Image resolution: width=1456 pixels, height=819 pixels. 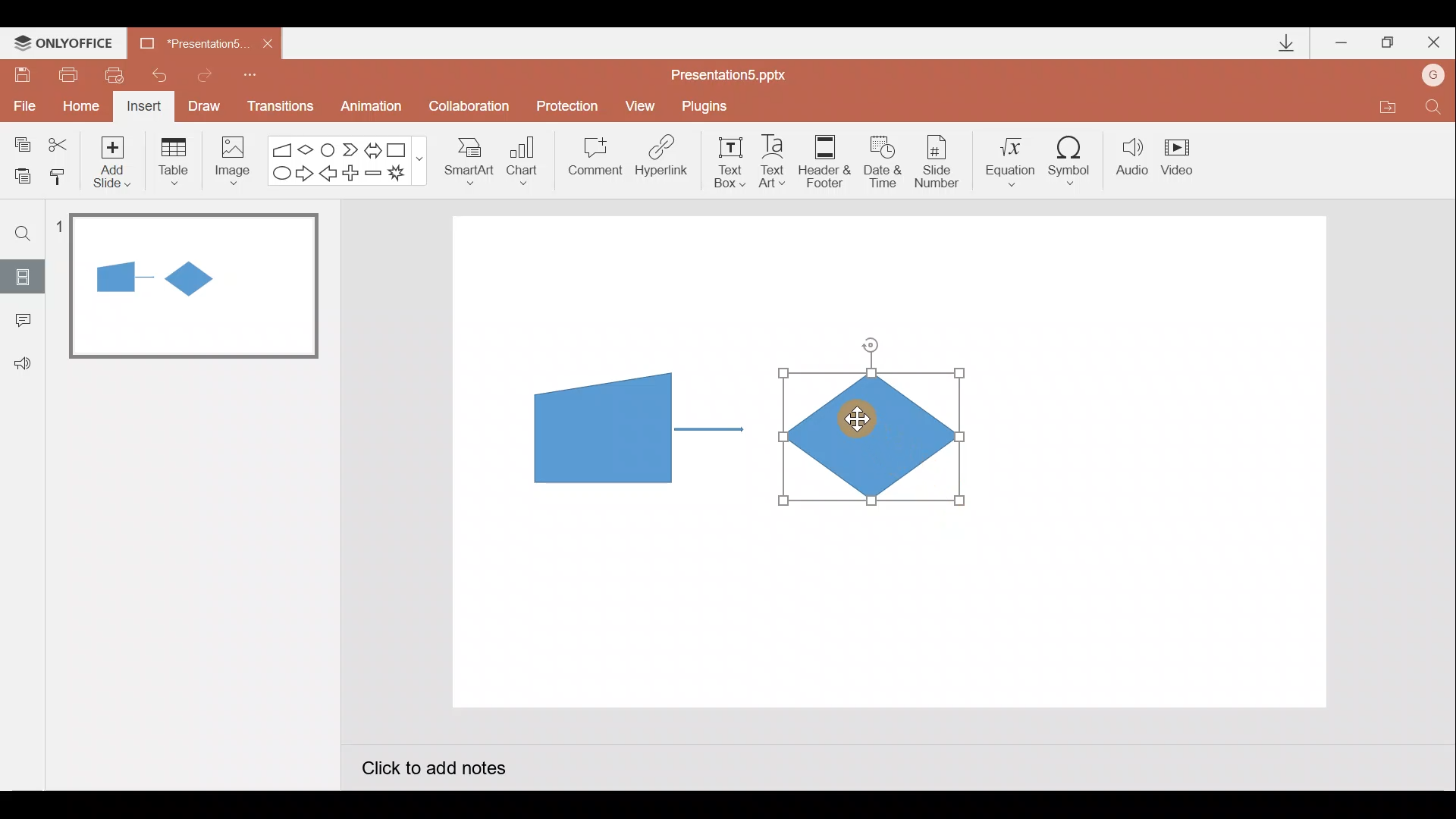 What do you see at coordinates (18, 174) in the screenshot?
I see `Paste` at bounding box center [18, 174].